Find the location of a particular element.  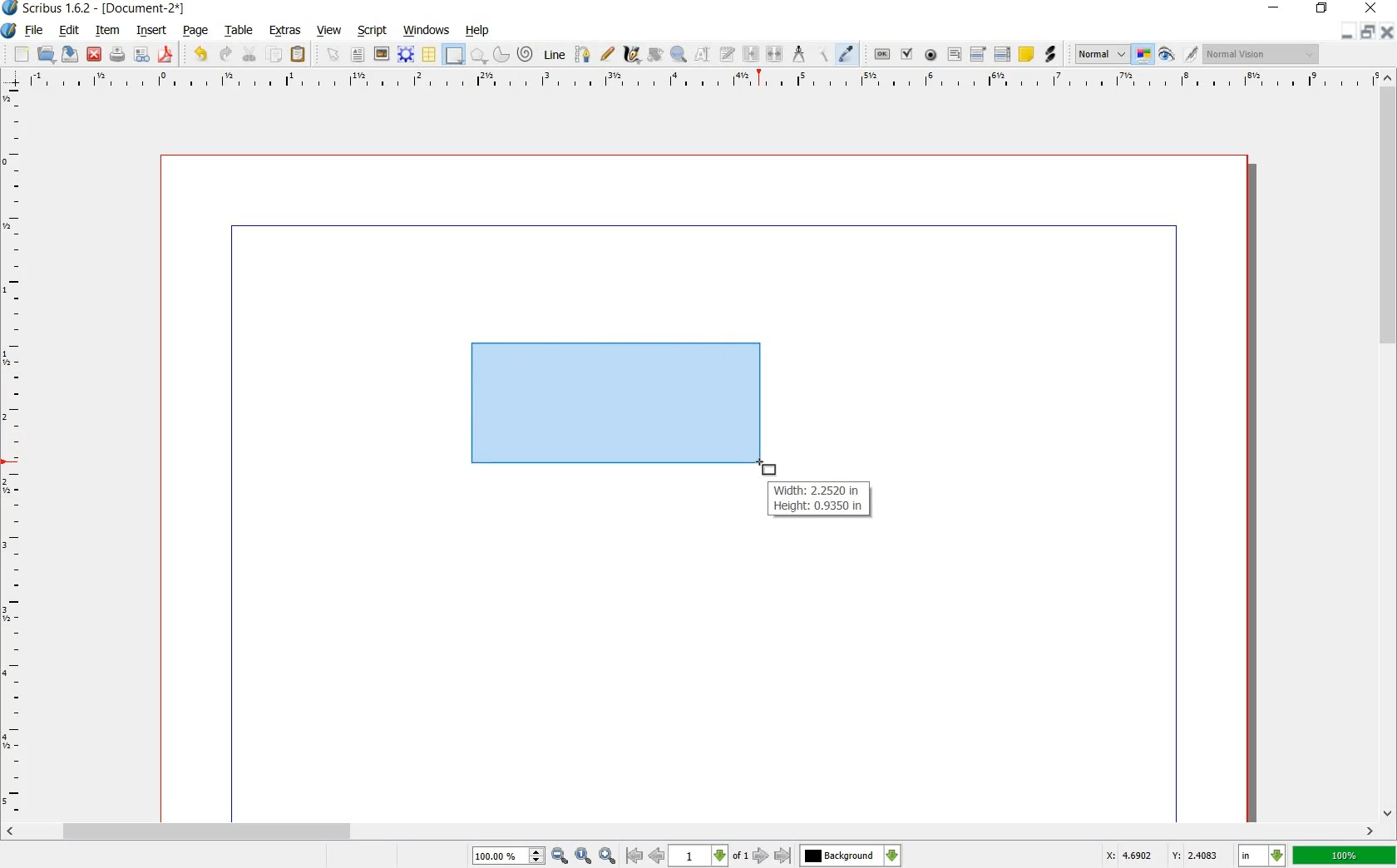

PDF PUSH BUTTON is located at coordinates (879, 54).